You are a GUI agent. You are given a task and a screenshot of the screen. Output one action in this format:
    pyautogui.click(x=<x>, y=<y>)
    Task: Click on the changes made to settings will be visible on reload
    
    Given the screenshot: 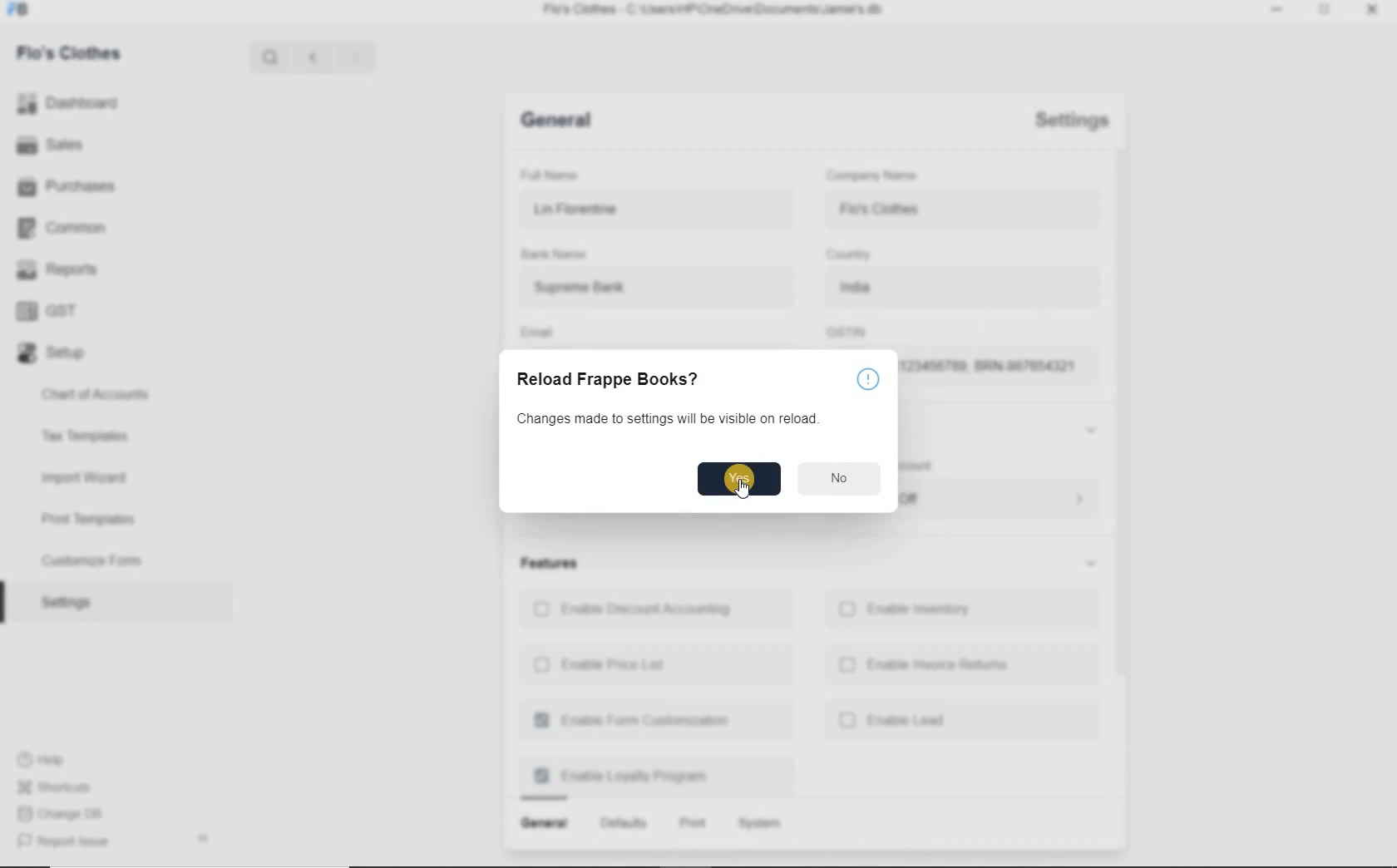 What is the action you would take?
    pyautogui.click(x=689, y=418)
    